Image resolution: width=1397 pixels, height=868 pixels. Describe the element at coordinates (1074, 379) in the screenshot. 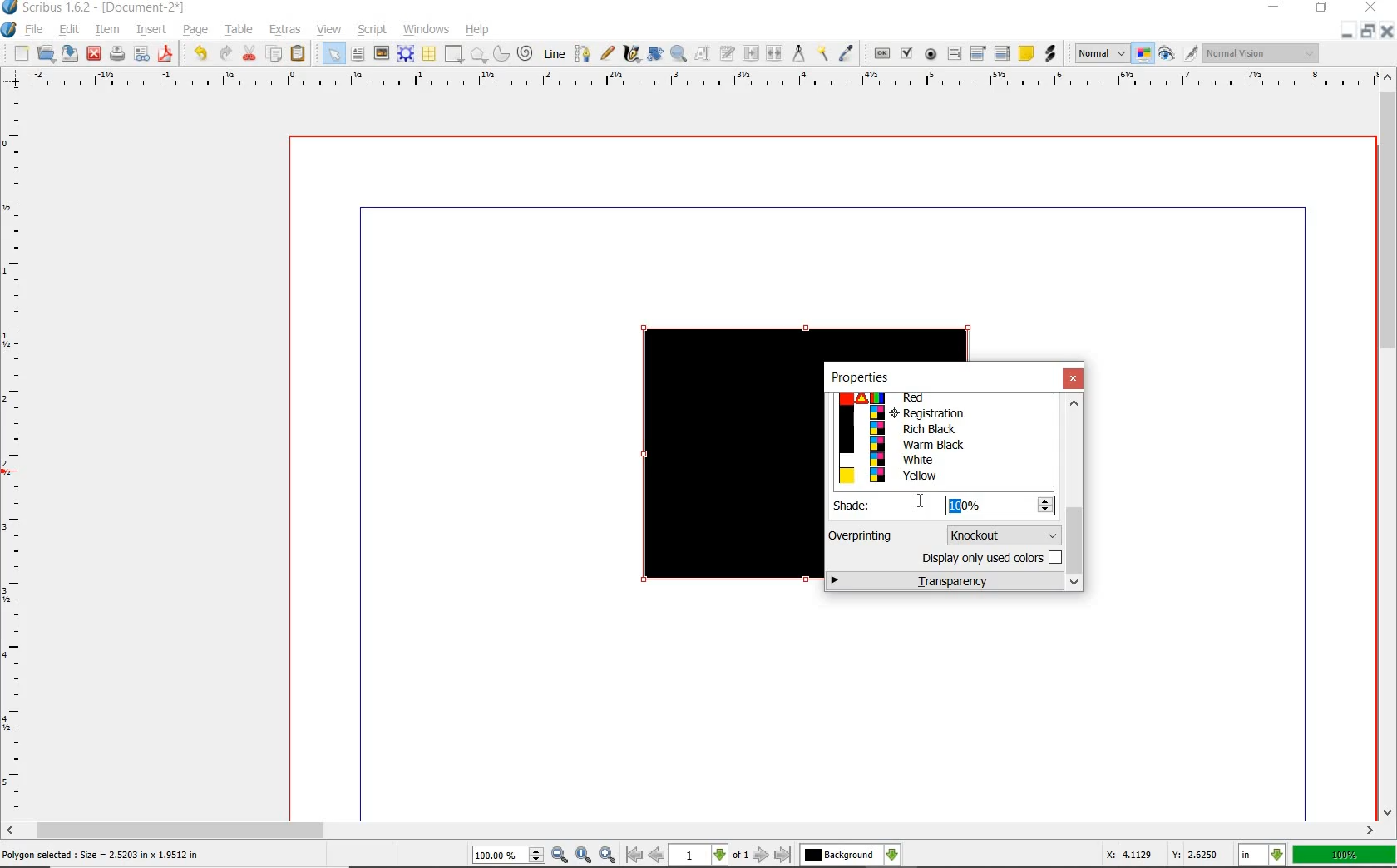

I see `close` at that location.